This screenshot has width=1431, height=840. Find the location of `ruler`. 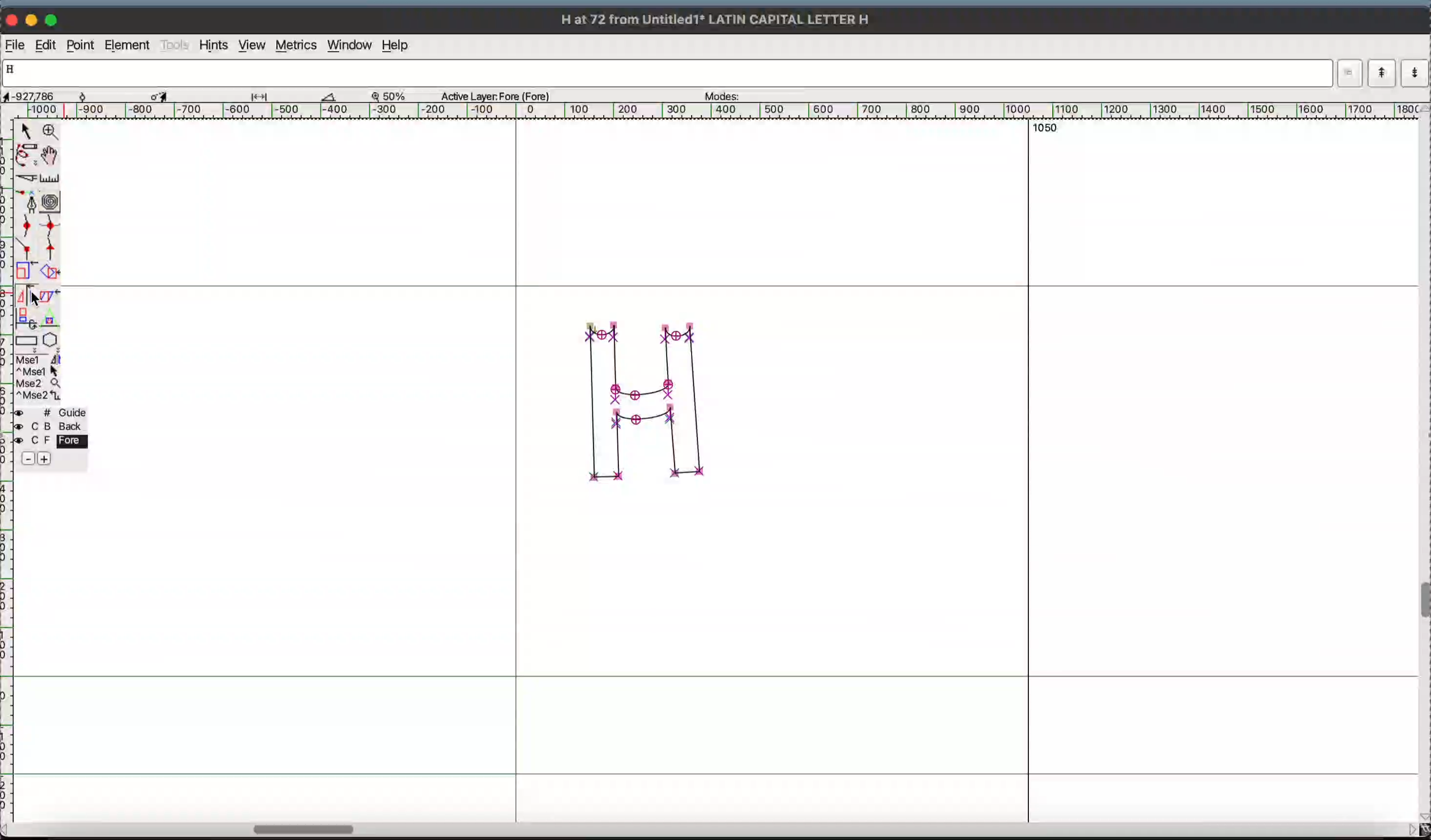

ruler is located at coordinates (10, 648).